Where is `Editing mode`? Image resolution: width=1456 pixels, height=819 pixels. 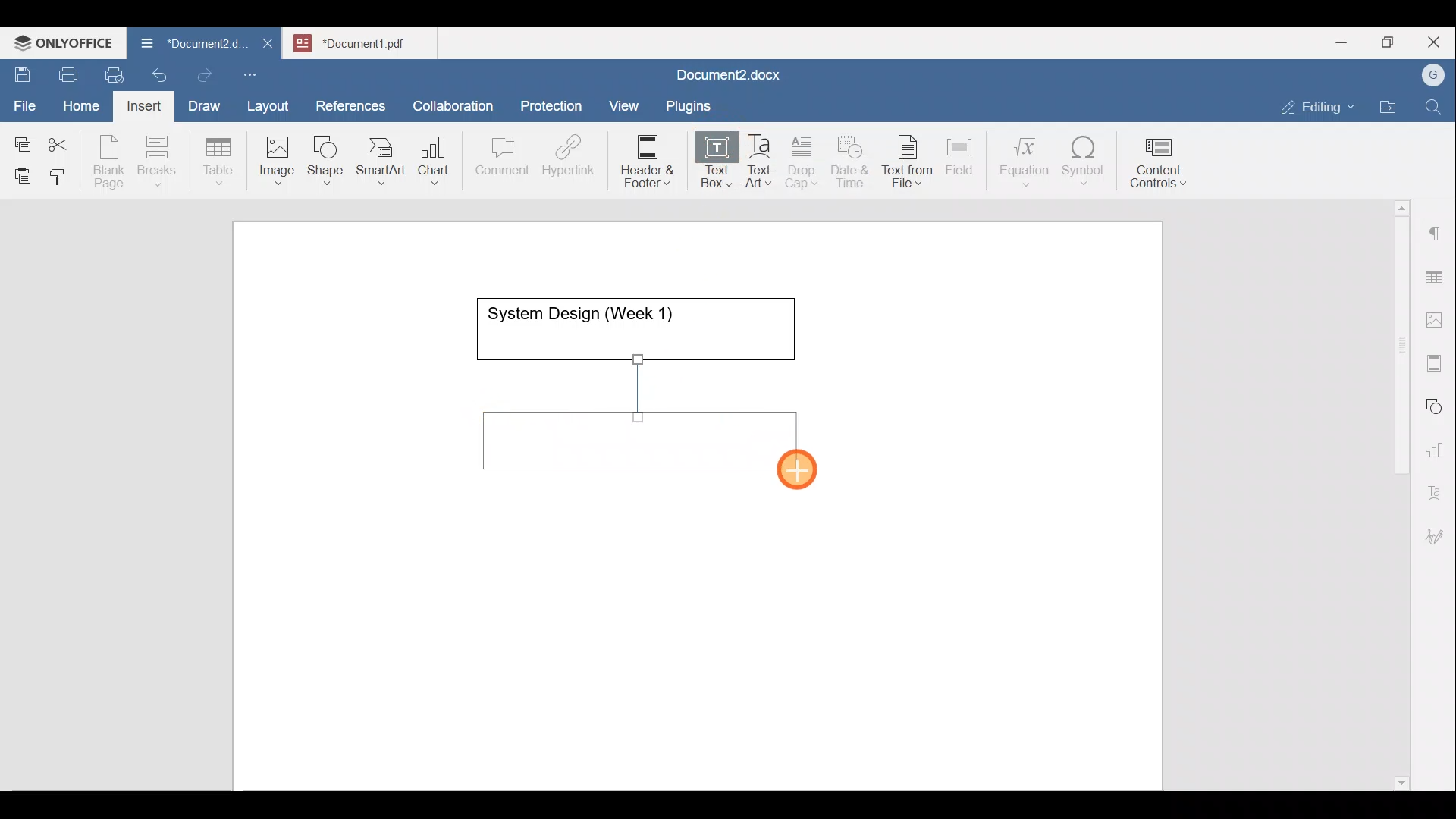 Editing mode is located at coordinates (1318, 104).